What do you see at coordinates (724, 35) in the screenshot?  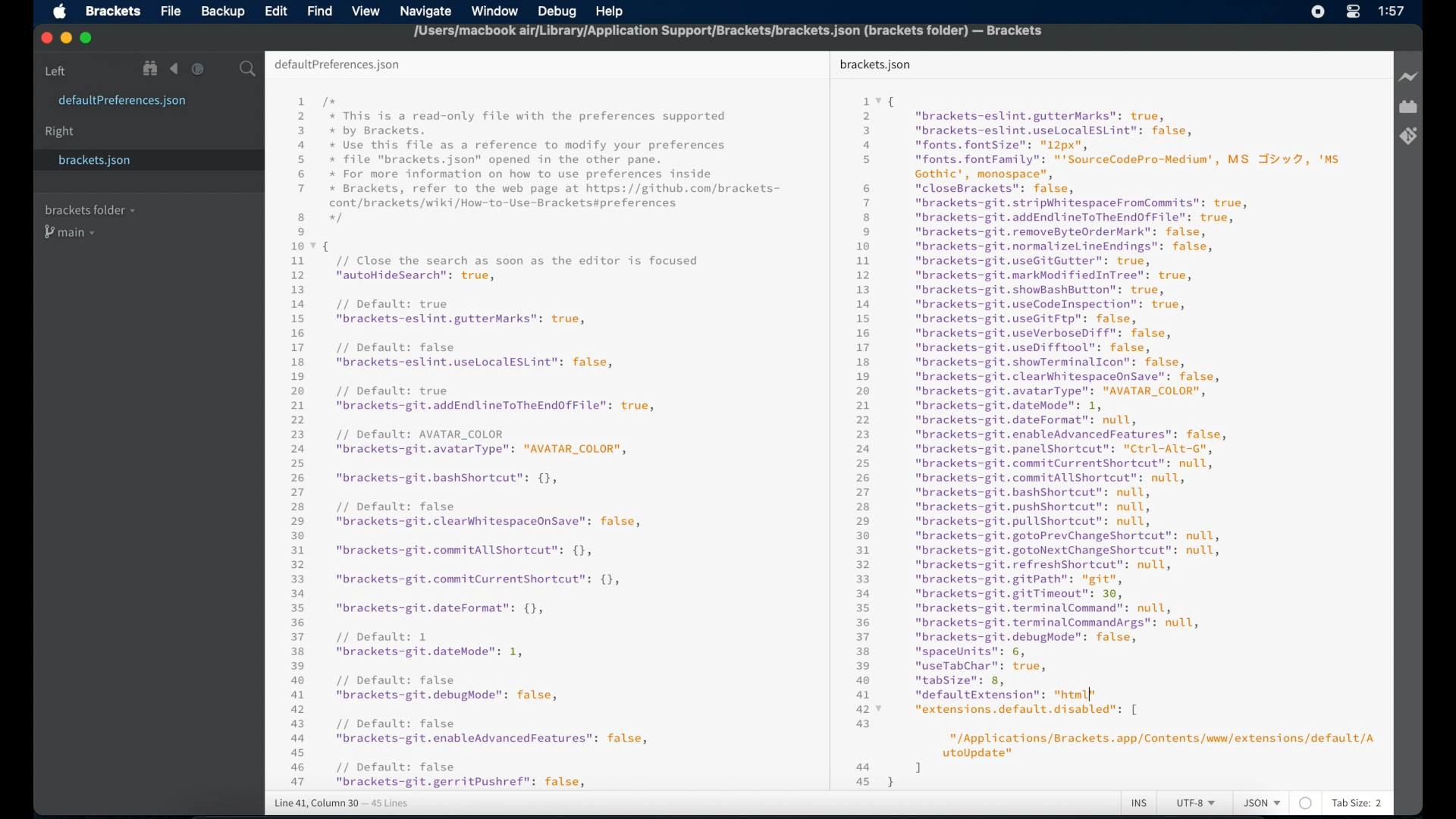 I see `/Users/macbook air/Library/Application Support/Brackets/brackets.json (brackets folder) — Brackets` at bounding box center [724, 35].